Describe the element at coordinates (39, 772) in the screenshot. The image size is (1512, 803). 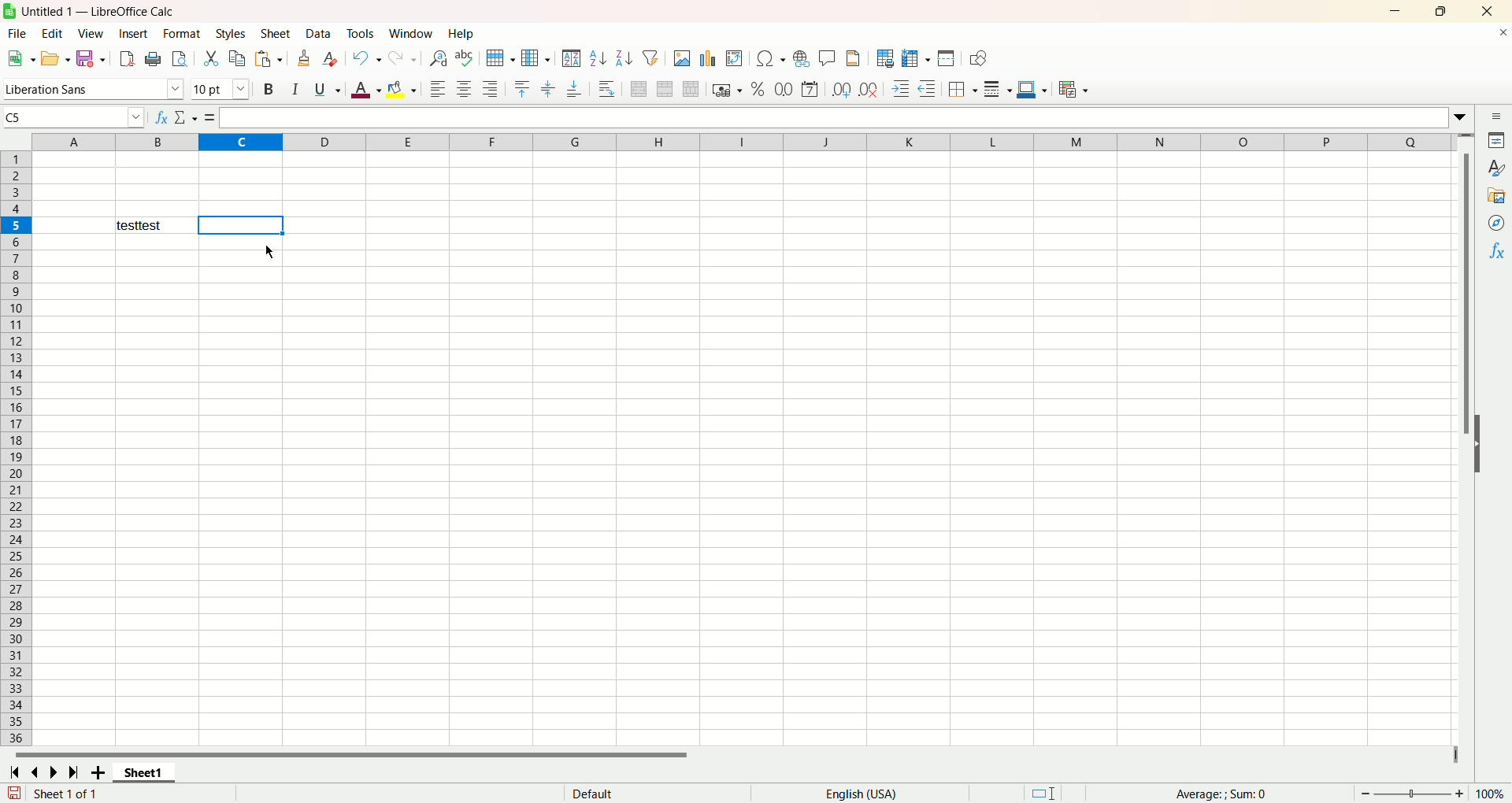
I see `scroll to previous sheet` at that location.